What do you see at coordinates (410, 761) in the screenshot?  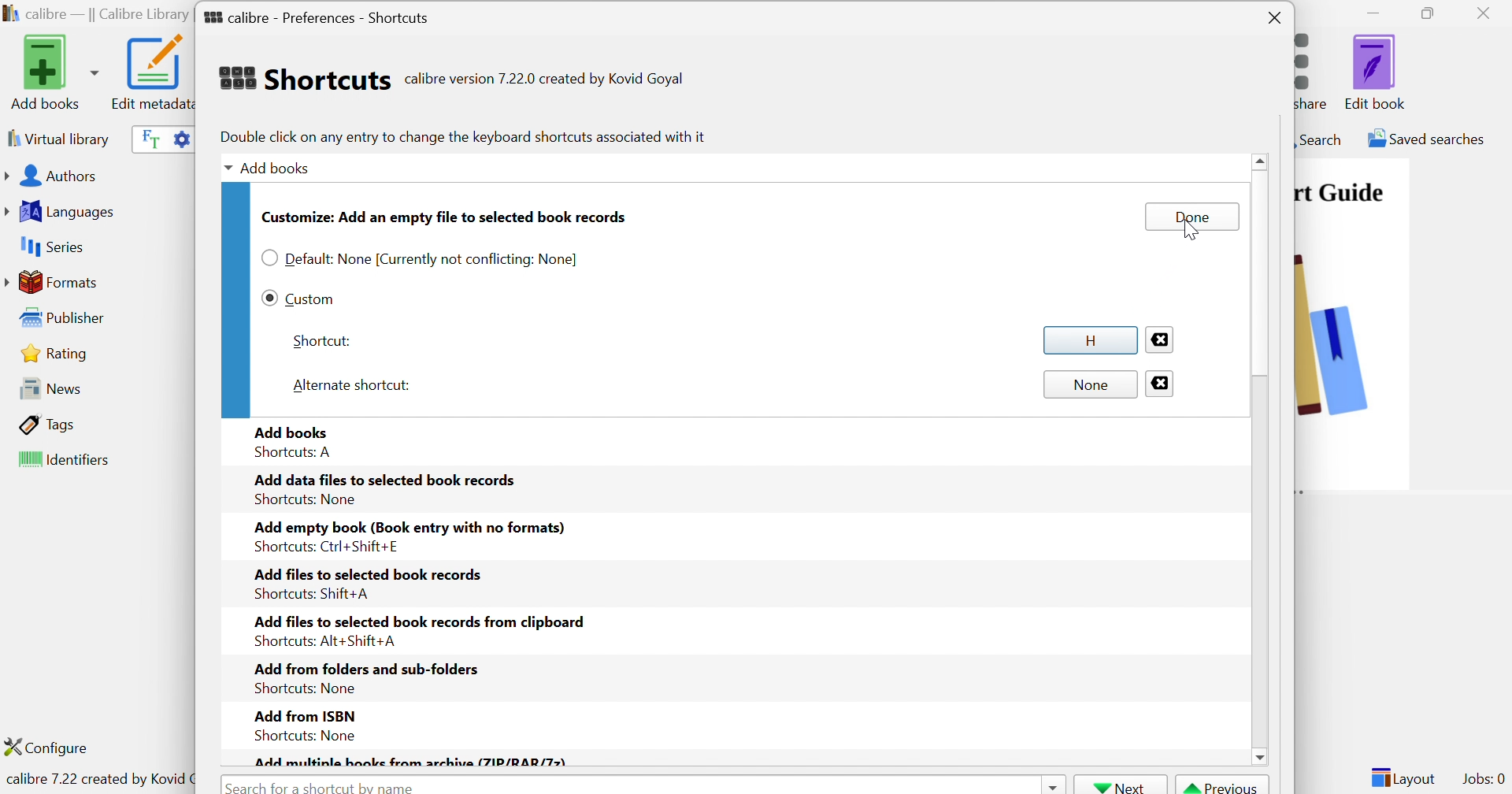 I see `Add multiple books from archive (ZIP/RAR/Z)` at bounding box center [410, 761].